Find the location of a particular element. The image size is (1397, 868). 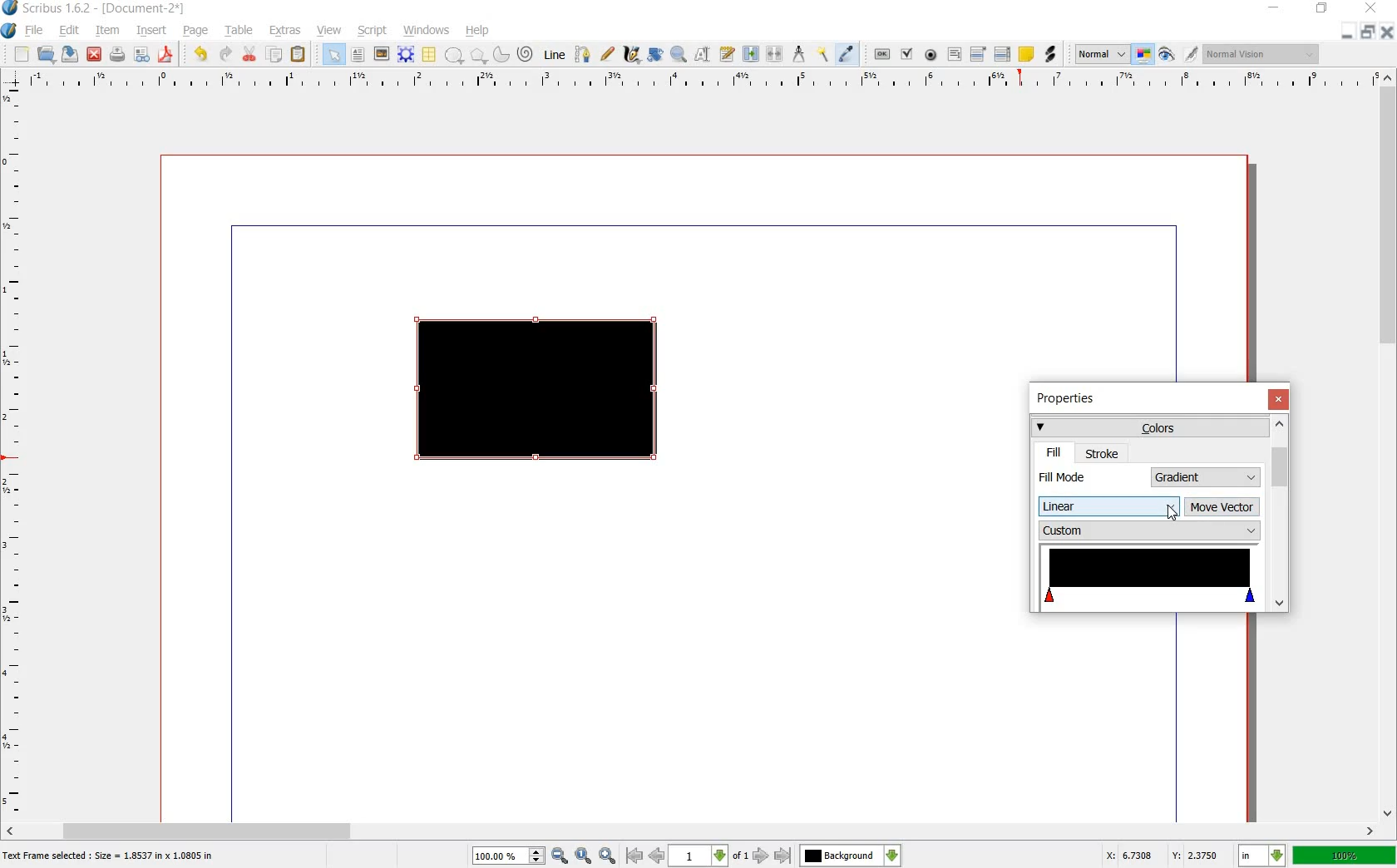

properties is located at coordinates (1071, 400).